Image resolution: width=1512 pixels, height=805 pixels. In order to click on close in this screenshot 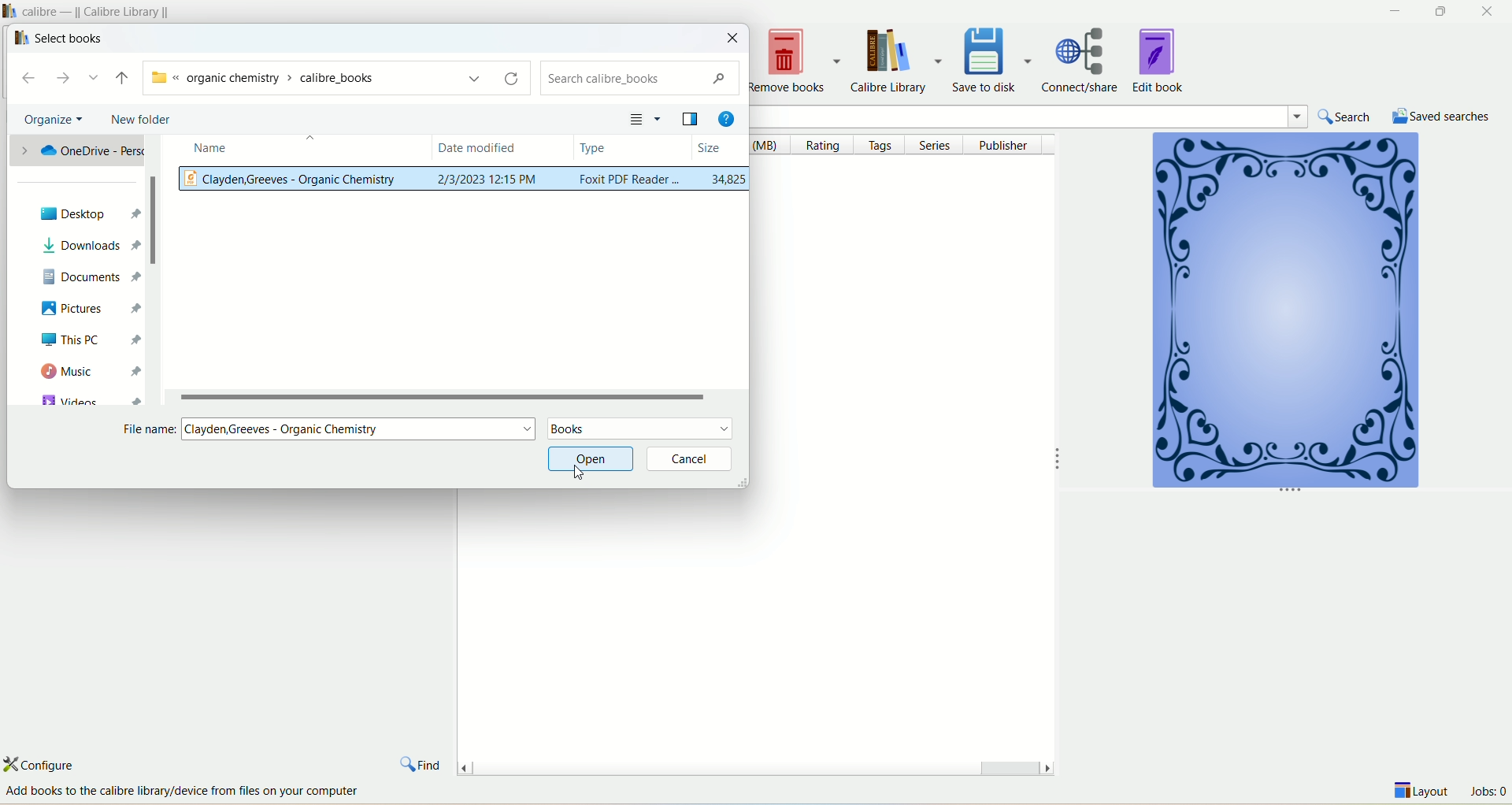, I will do `click(1489, 12)`.